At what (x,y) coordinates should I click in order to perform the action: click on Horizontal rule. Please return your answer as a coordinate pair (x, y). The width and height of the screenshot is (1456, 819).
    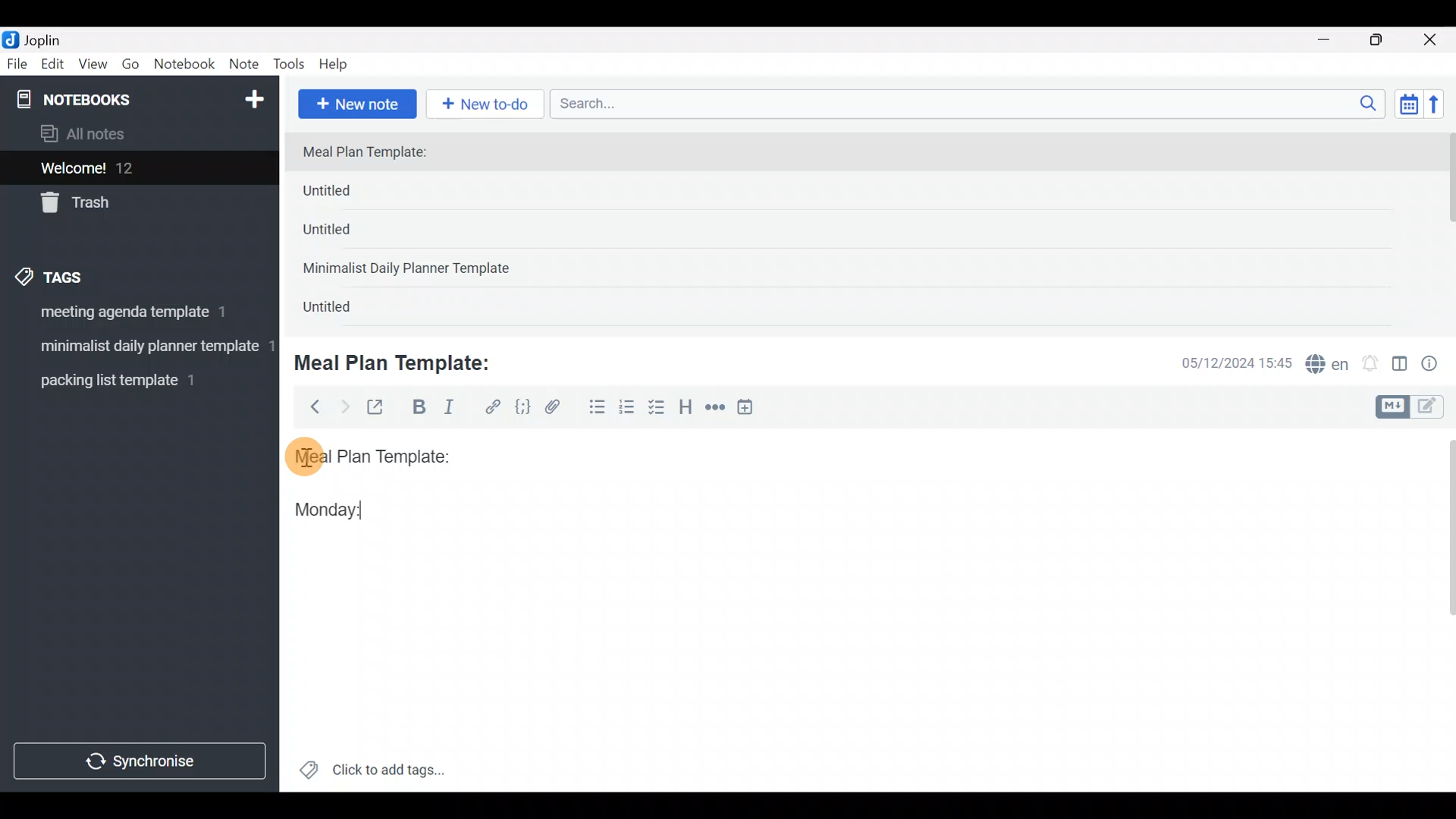
    Looking at the image, I should click on (715, 409).